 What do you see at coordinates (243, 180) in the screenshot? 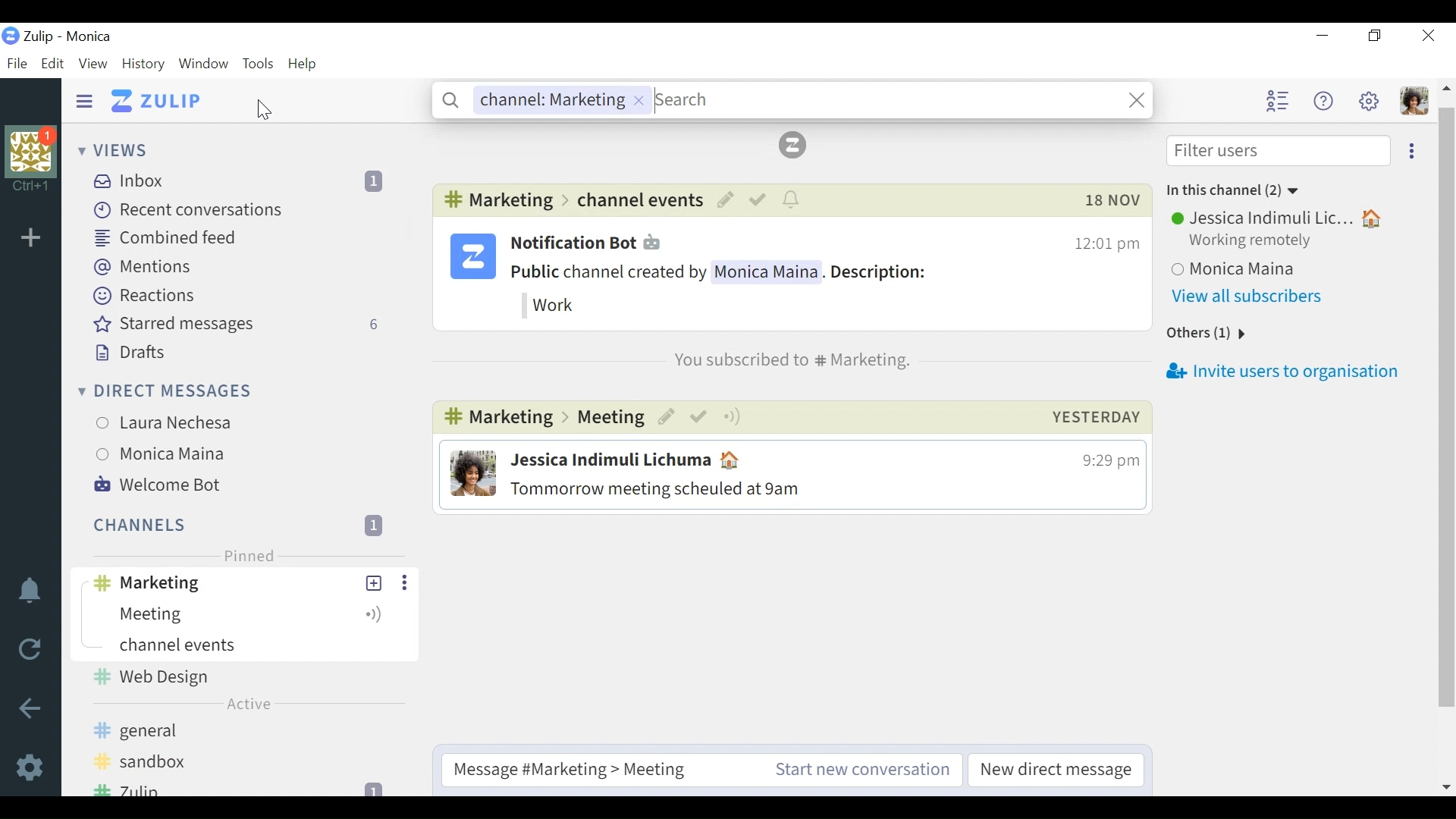
I see `Inbox` at bounding box center [243, 180].